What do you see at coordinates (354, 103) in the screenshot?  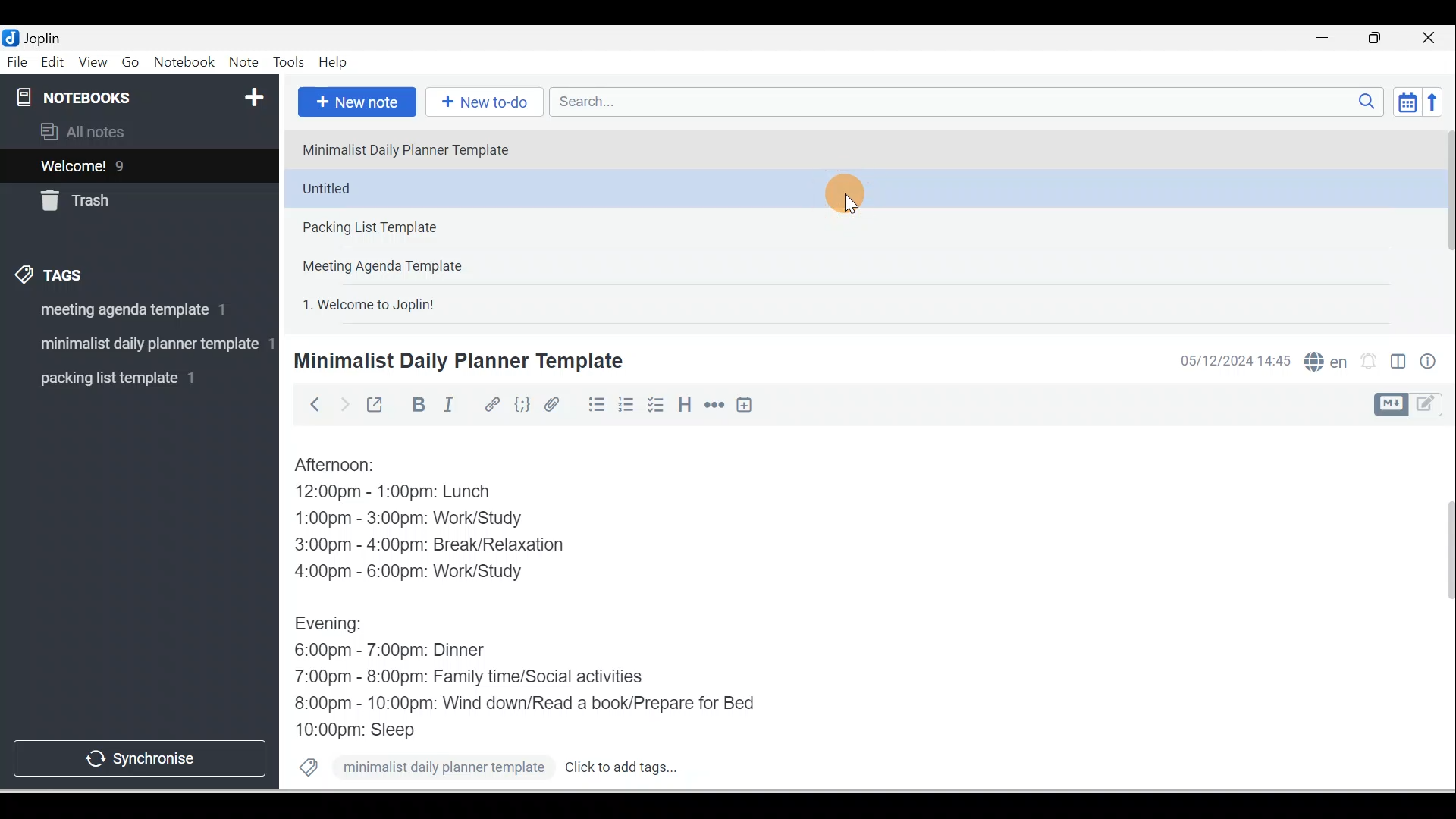 I see `New note` at bounding box center [354, 103].